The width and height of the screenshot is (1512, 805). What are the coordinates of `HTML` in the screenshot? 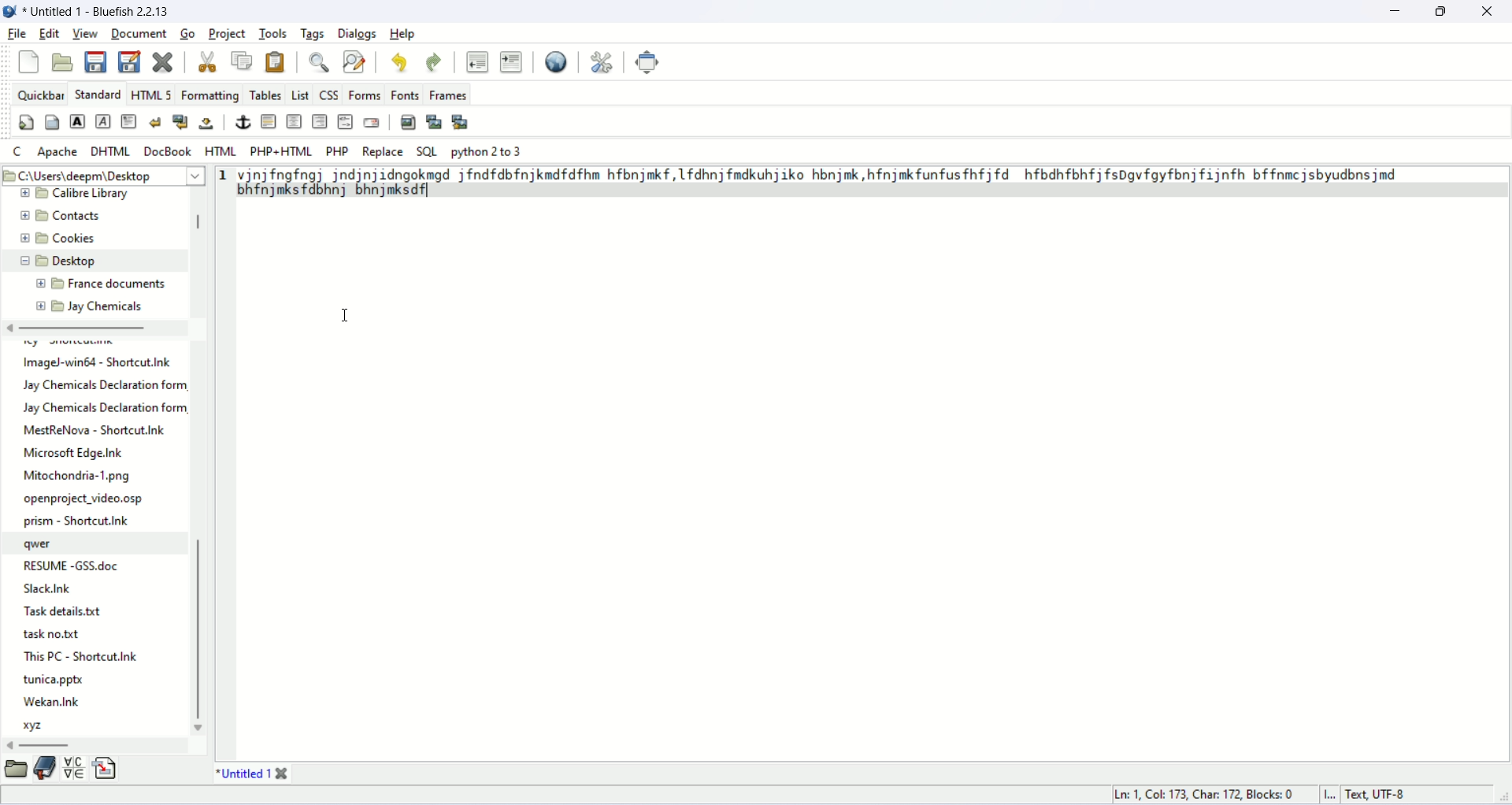 It's located at (222, 153).